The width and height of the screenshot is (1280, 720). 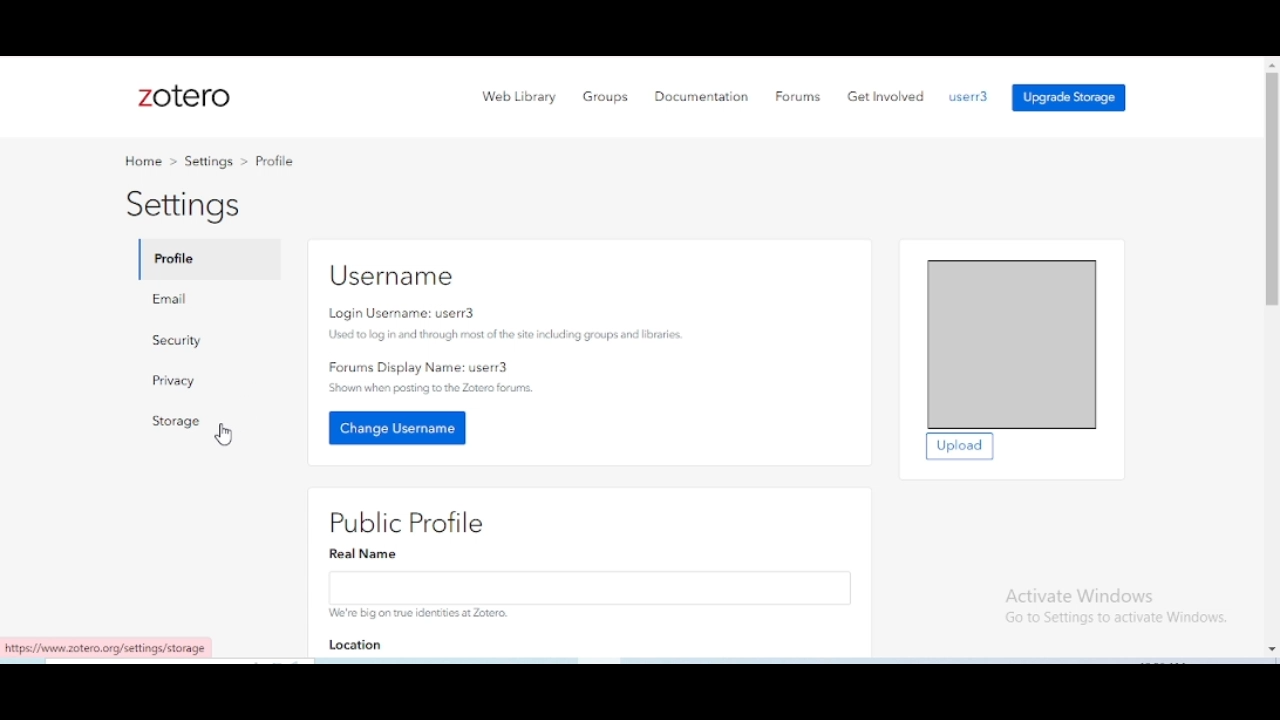 What do you see at coordinates (405, 521) in the screenshot?
I see `public profile` at bounding box center [405, 521].